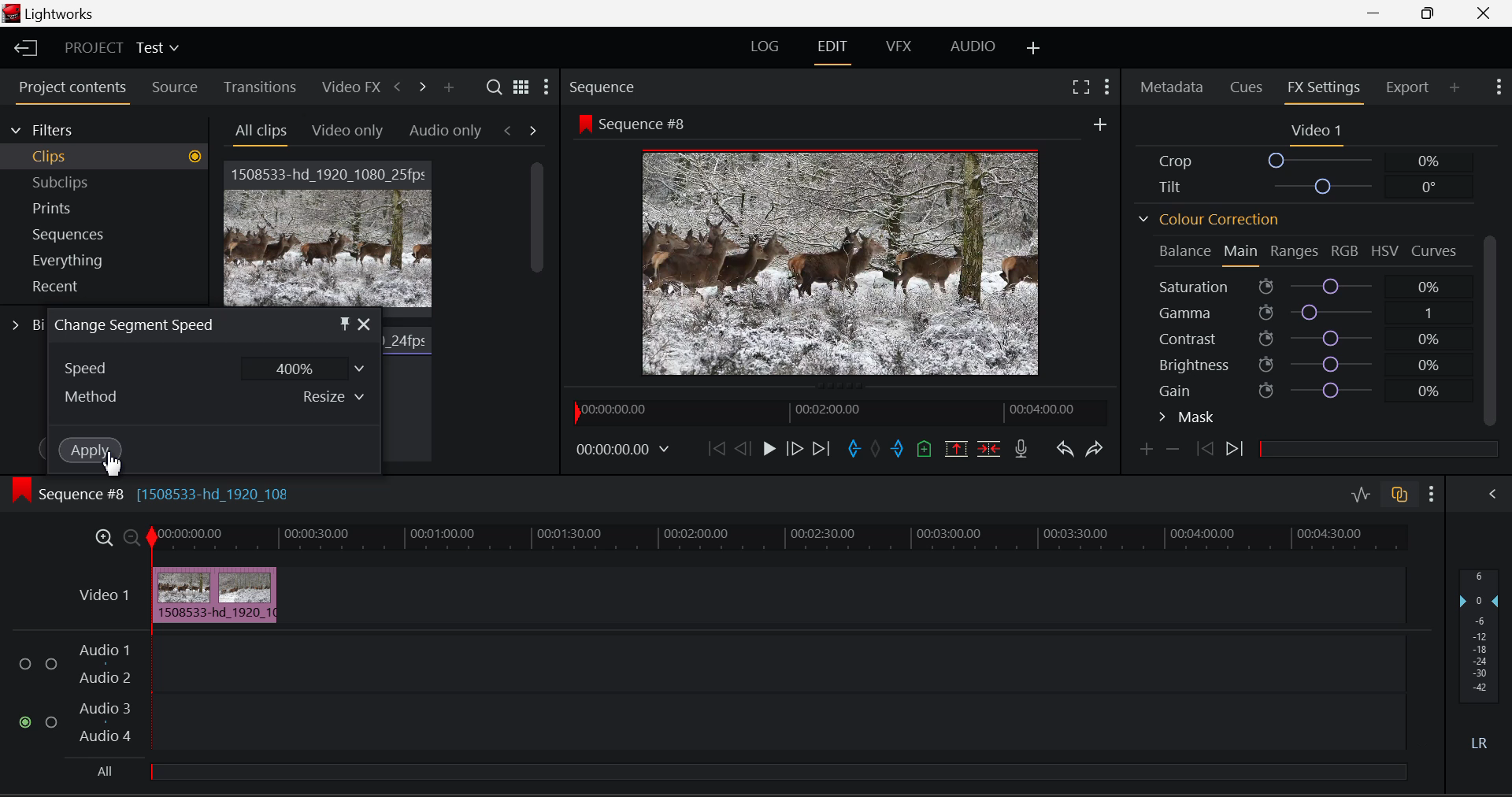 The width and height of the screenshot is (1512, 797). Describe the element at coordinates (1304, 393) in the screenshot. I see `Gain` at that location.